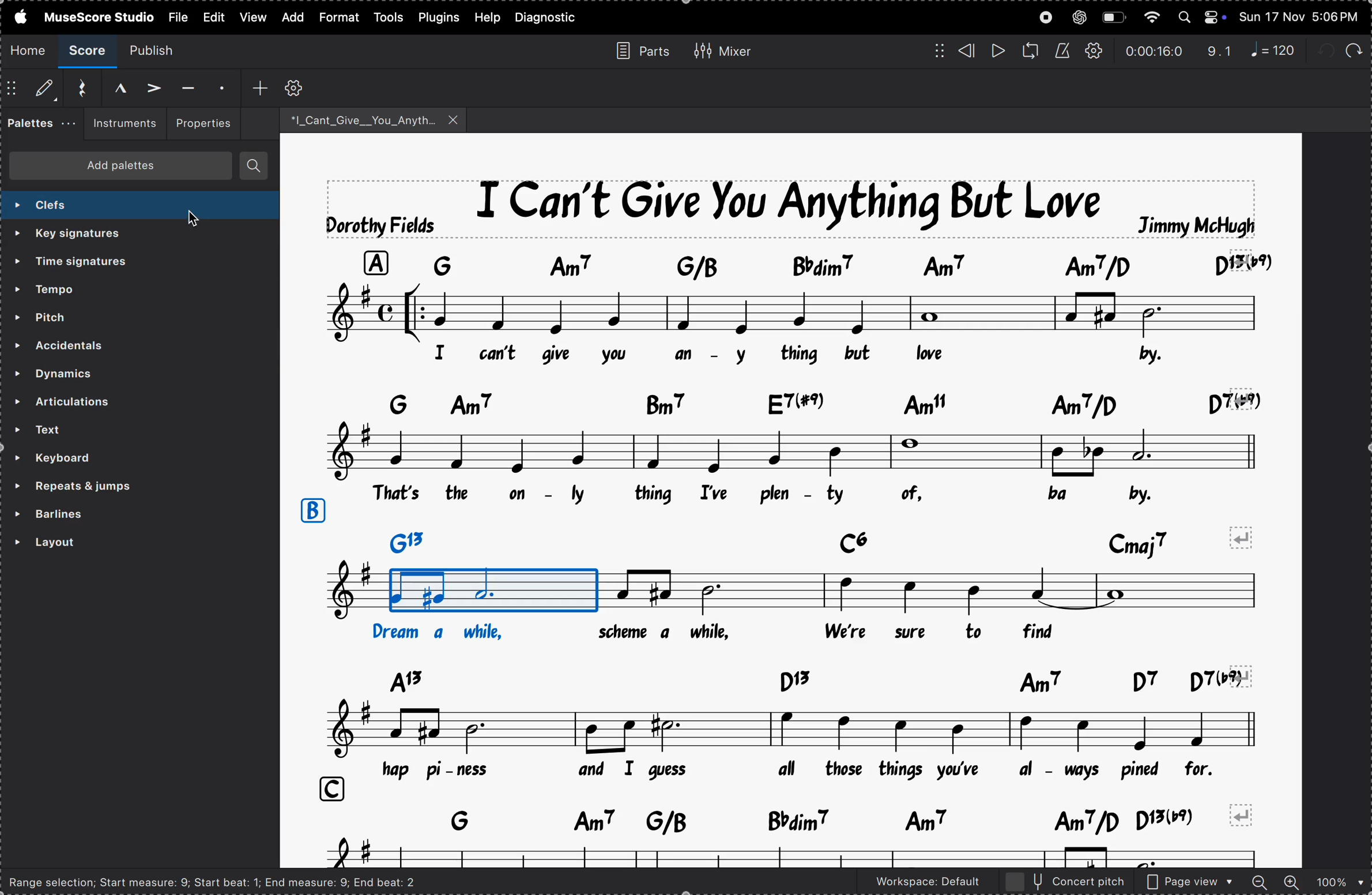 The height and width of the screenshot is (895, 1372). Describe the element at coordinates (251, 17) in the screenshot. I see `view` at that location.